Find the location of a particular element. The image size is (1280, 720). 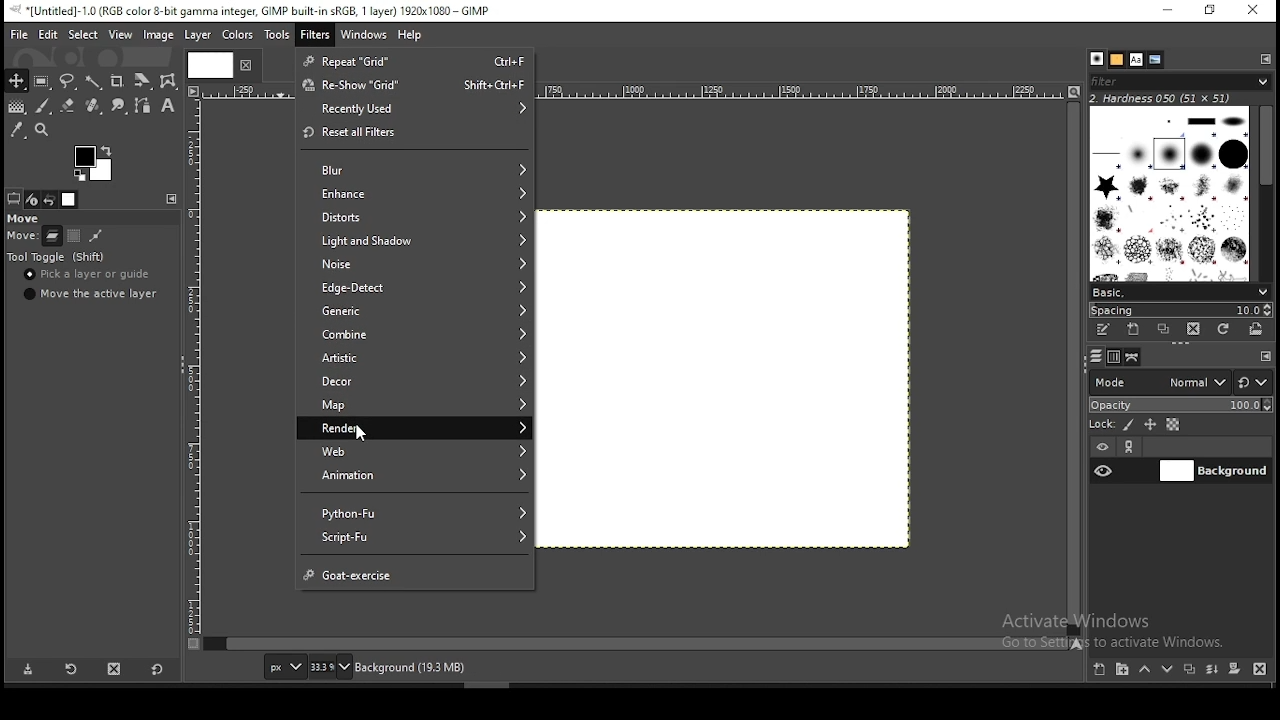

edit this brush is located at coordinates (1101, 330).